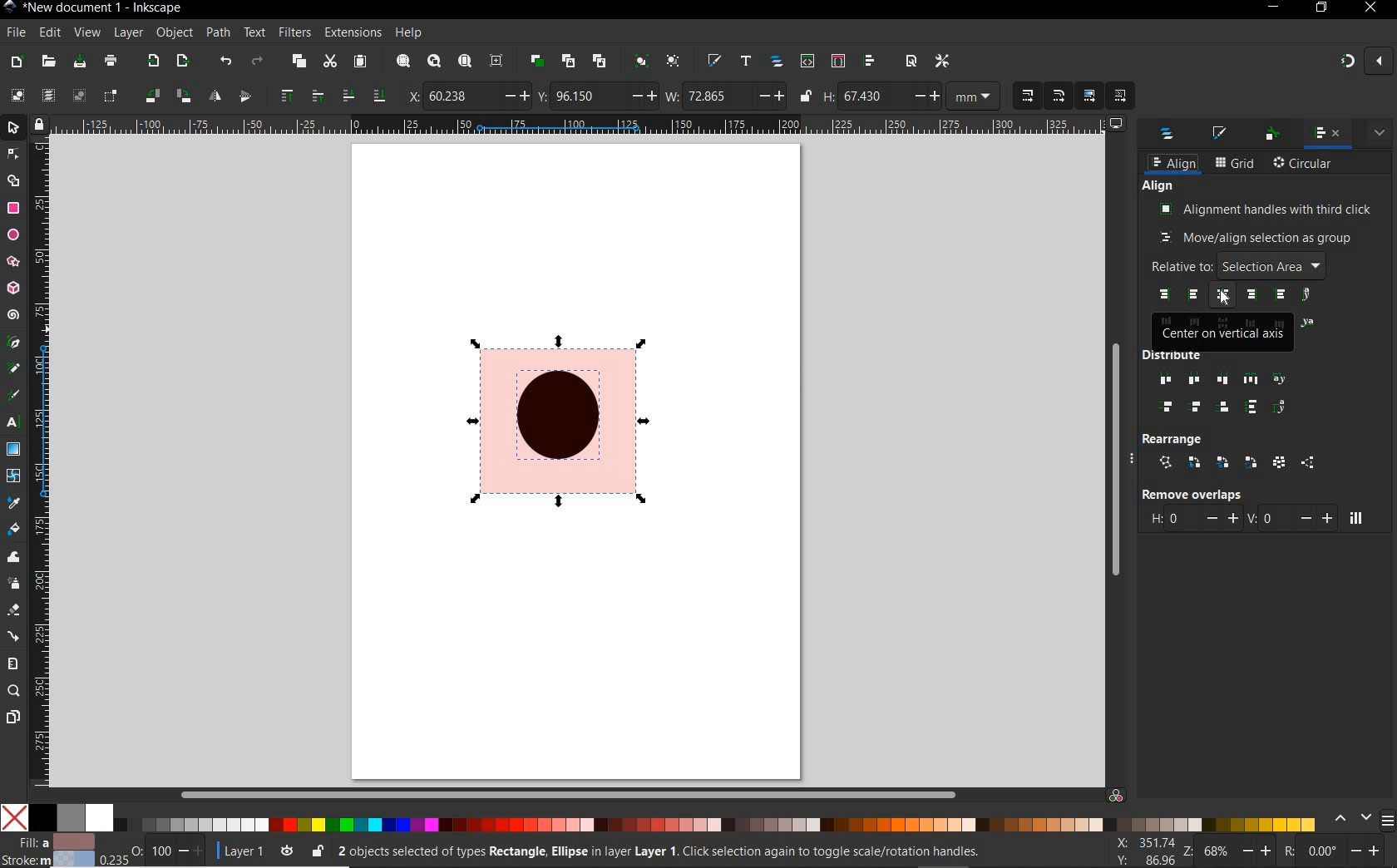 Image resolution: width=1397 pixels, height=868 pixels. What do you see at coordinates (11, 423) in the screenshot?
I see `text tool` at bounding box center [11, 423].